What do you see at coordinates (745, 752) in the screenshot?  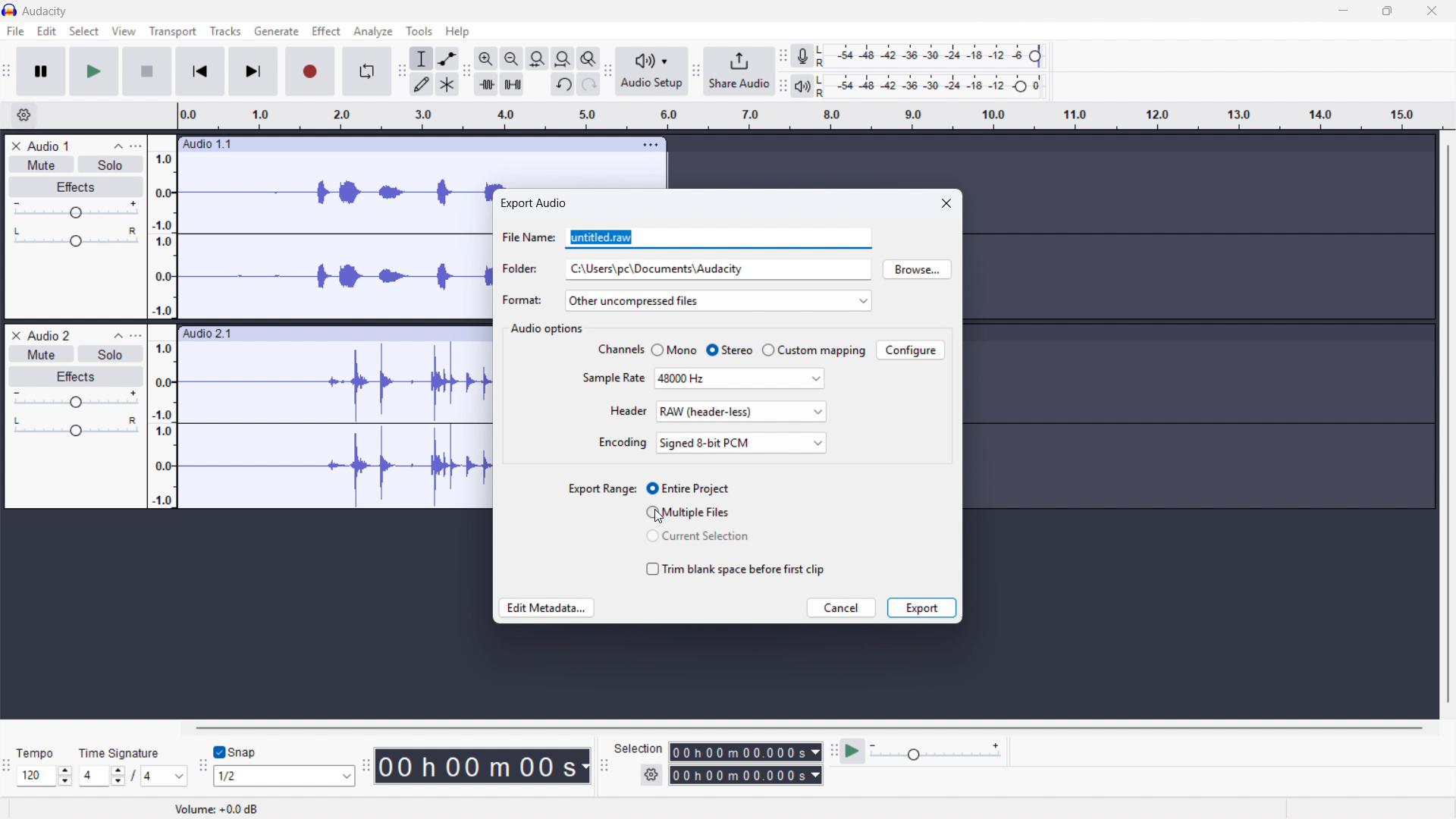 I see `Selection start time` at bounding box center [745, 752].